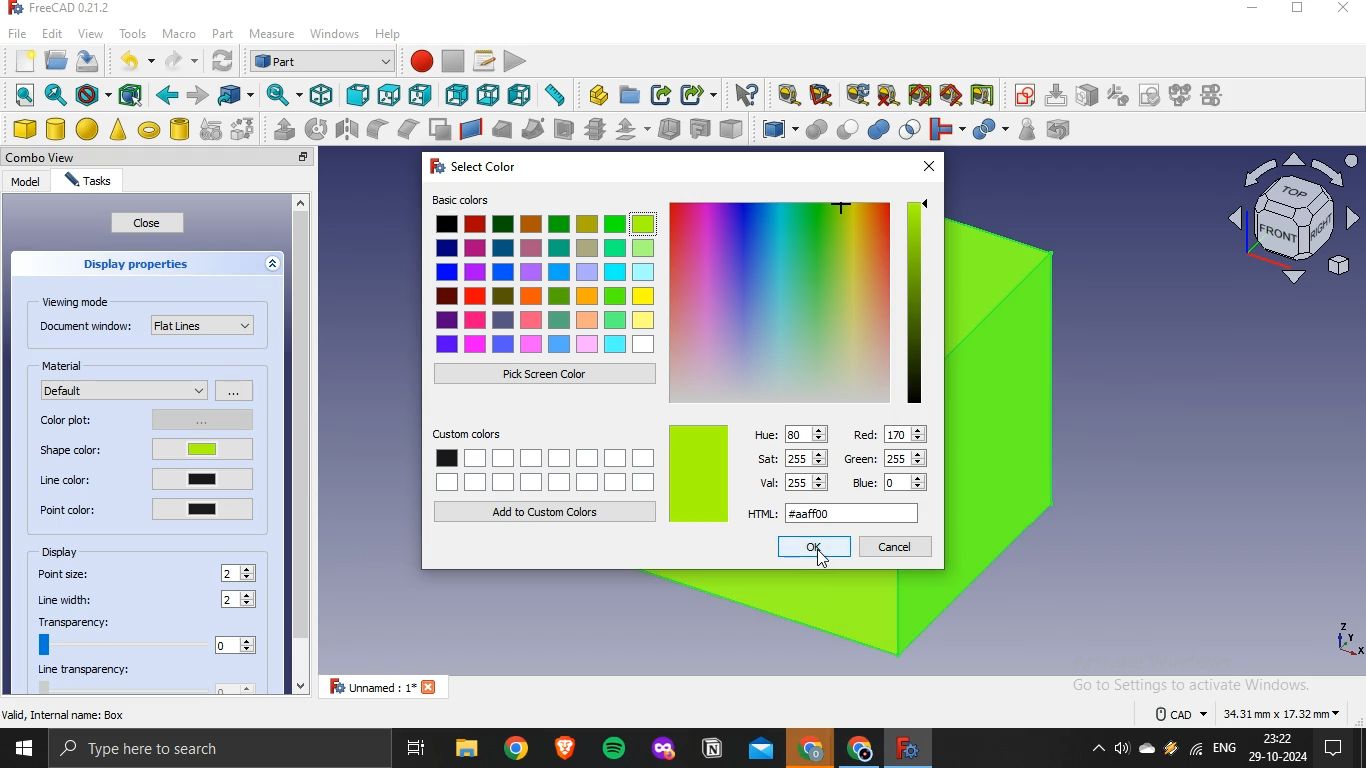  Describe the element at coordinates (544, 460) in the screenshot. I see `custom colors` at that location.